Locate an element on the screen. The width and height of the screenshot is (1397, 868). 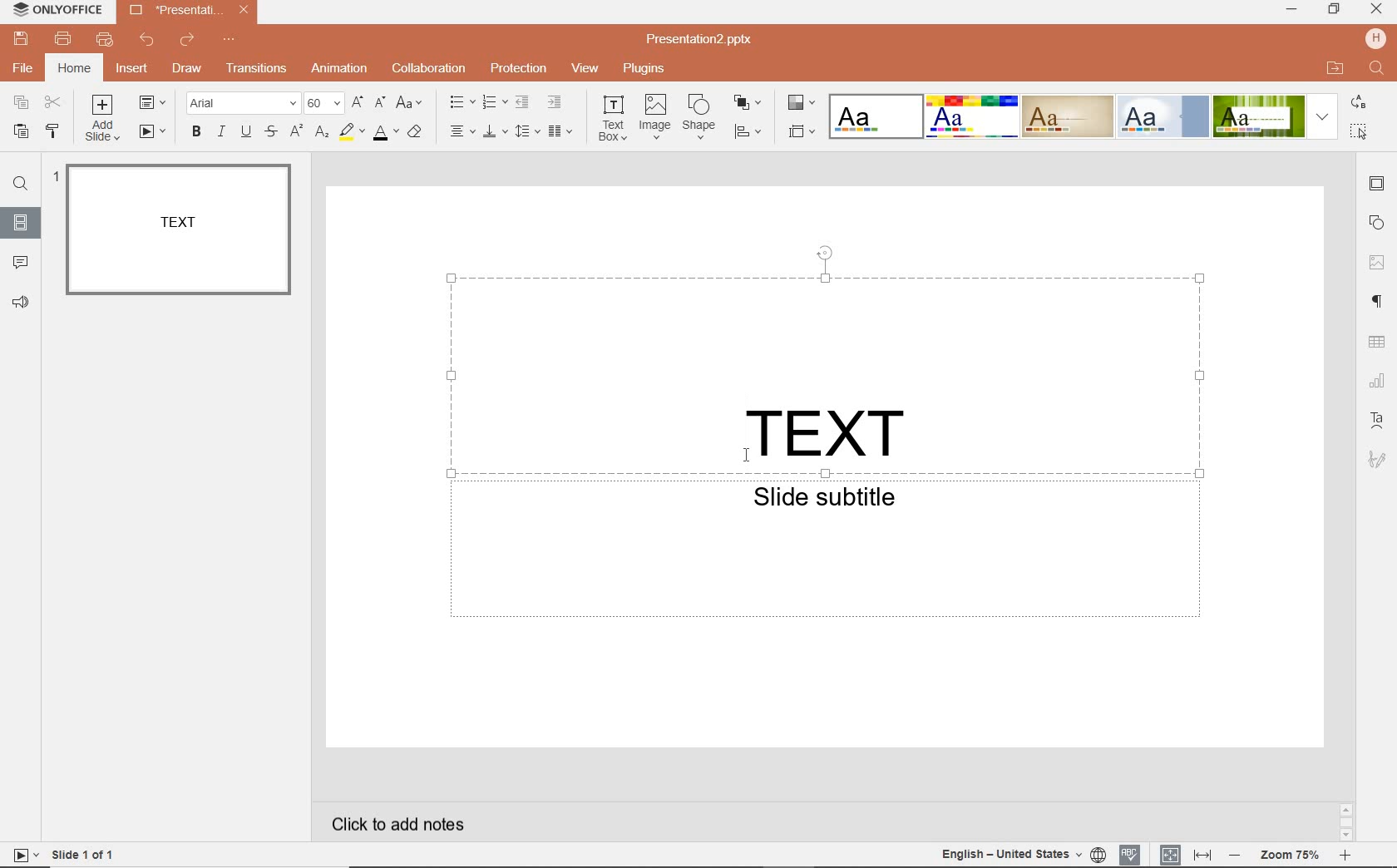
IMAGE SETTINGS is located at coordinates (1379, 259).